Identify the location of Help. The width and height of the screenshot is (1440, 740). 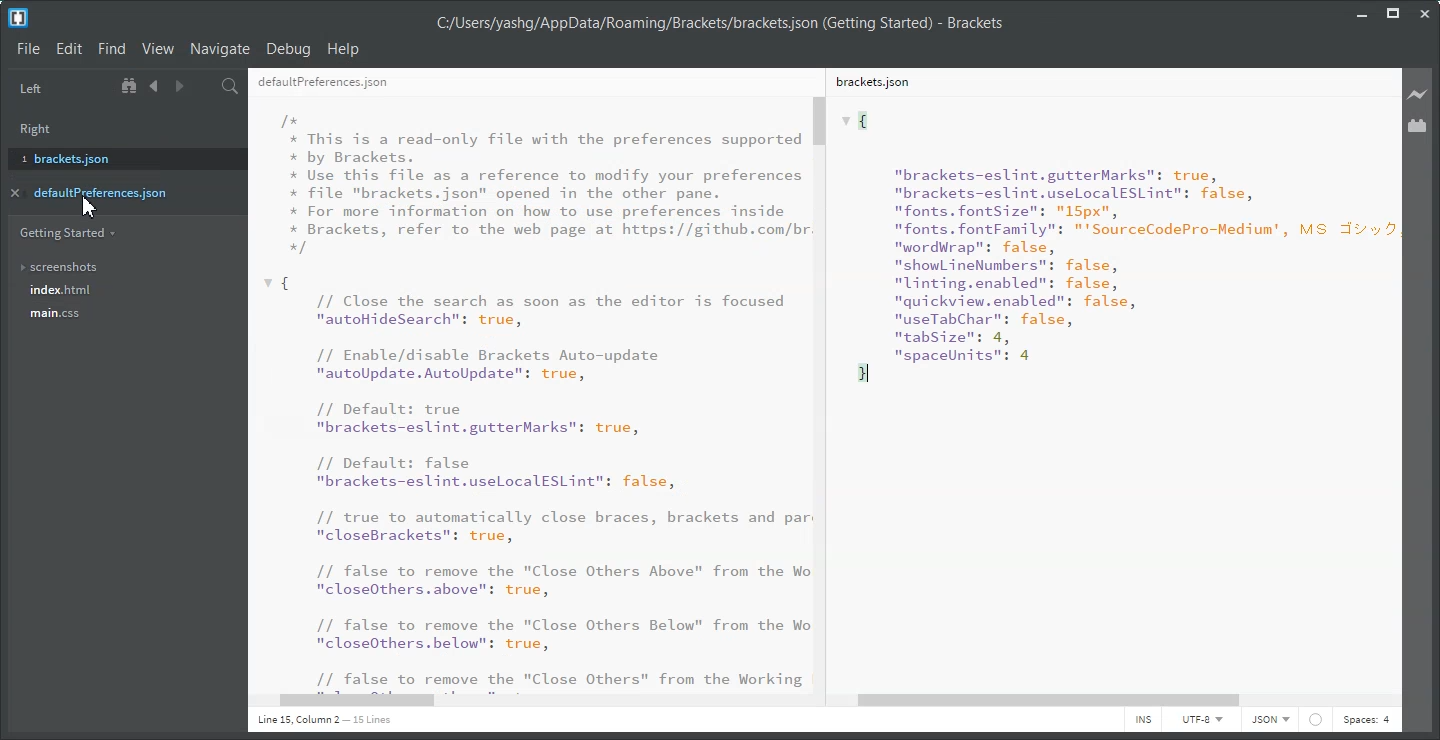
(344, 48).